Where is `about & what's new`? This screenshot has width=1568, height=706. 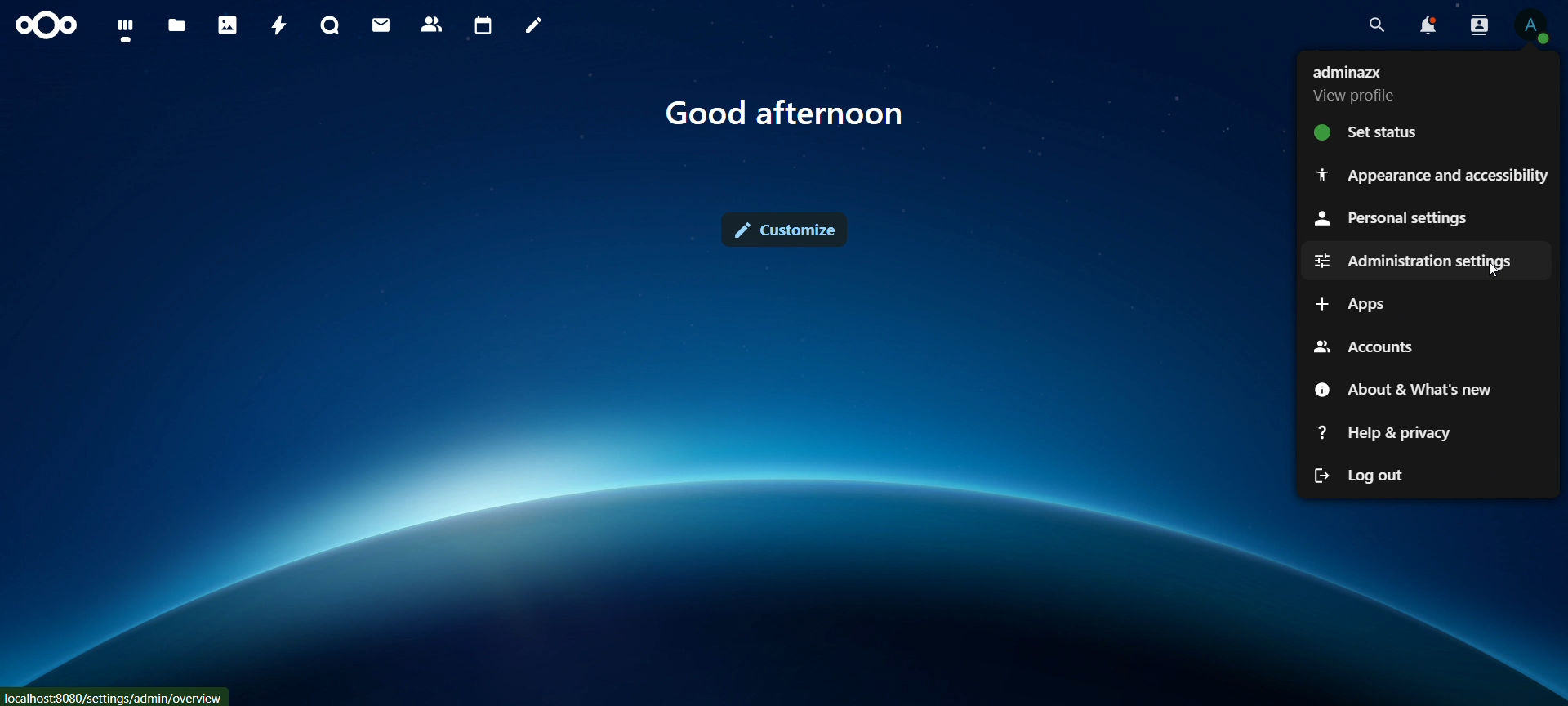 about & what's new is located at coordinates (1400, 390).